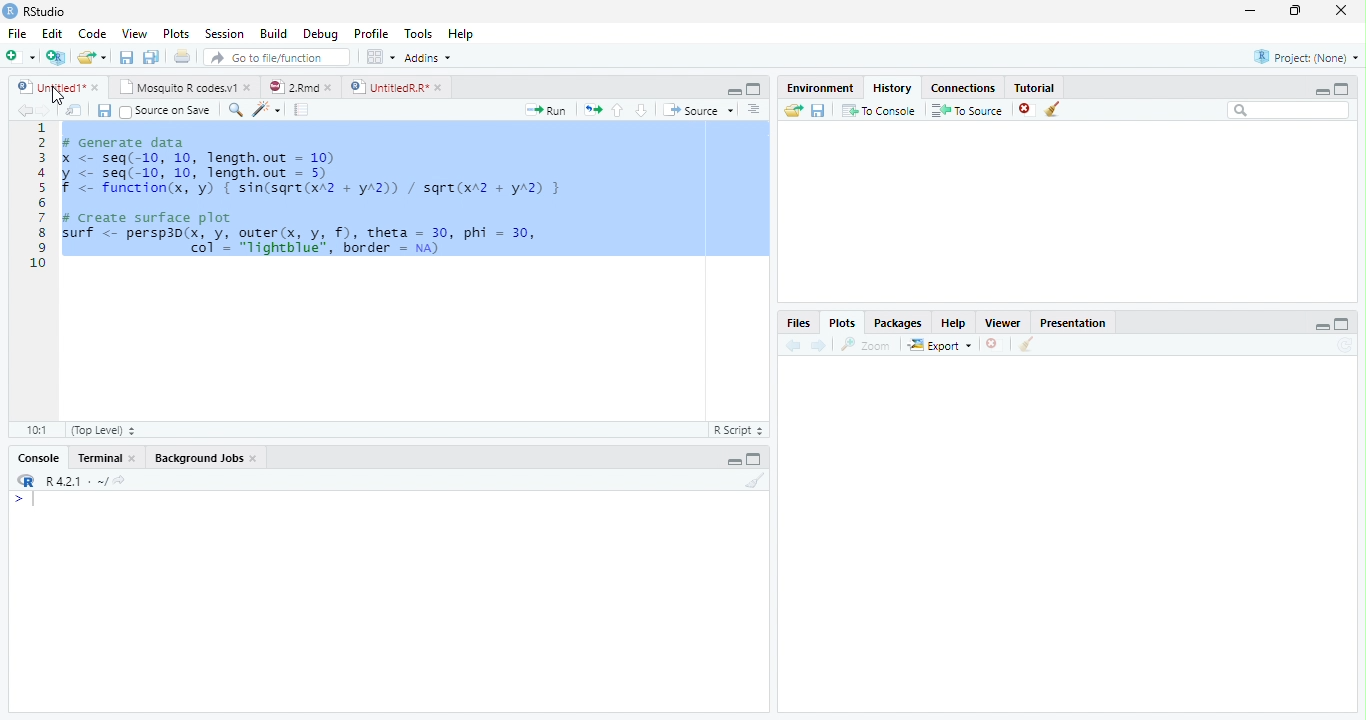  Describe the element at coordinates (741, 430) in the screenshot. I see `R Script` at that location.